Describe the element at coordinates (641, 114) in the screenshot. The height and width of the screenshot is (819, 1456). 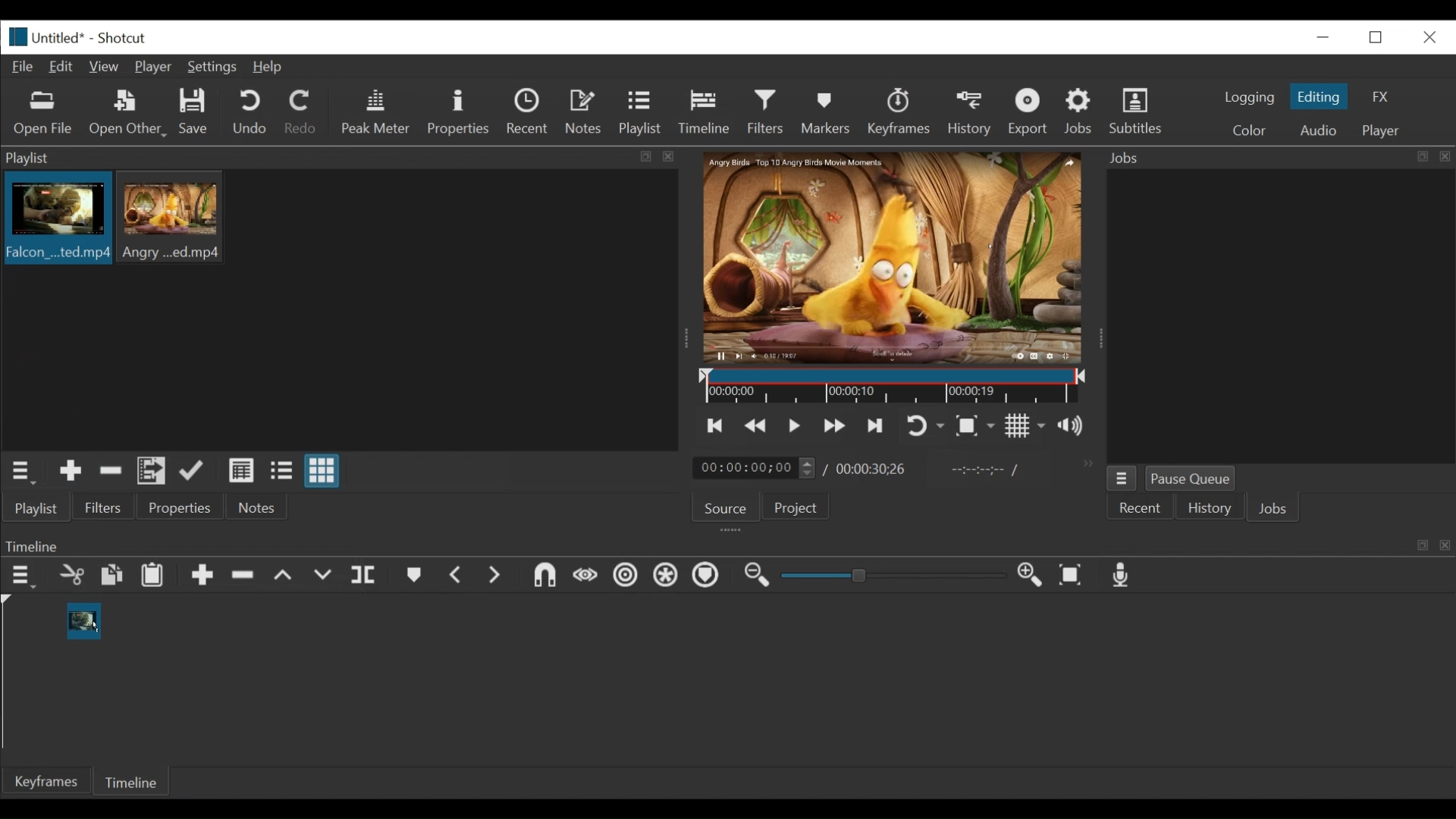
I see `Playlist` at that location.